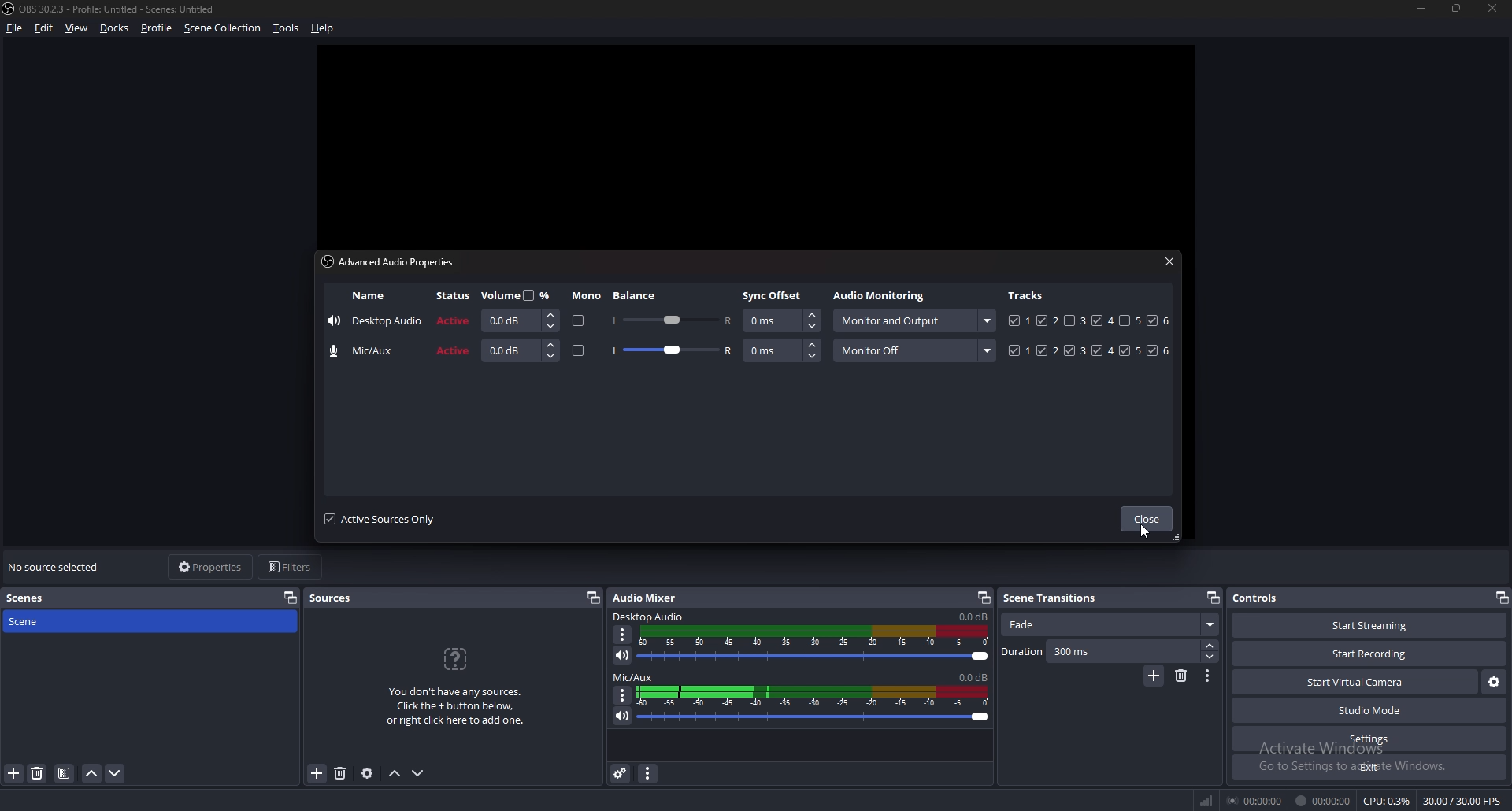  What do you see at coordinates (636, 295) in the screenshot?
I see `balance` at bounding box center [636, 295].